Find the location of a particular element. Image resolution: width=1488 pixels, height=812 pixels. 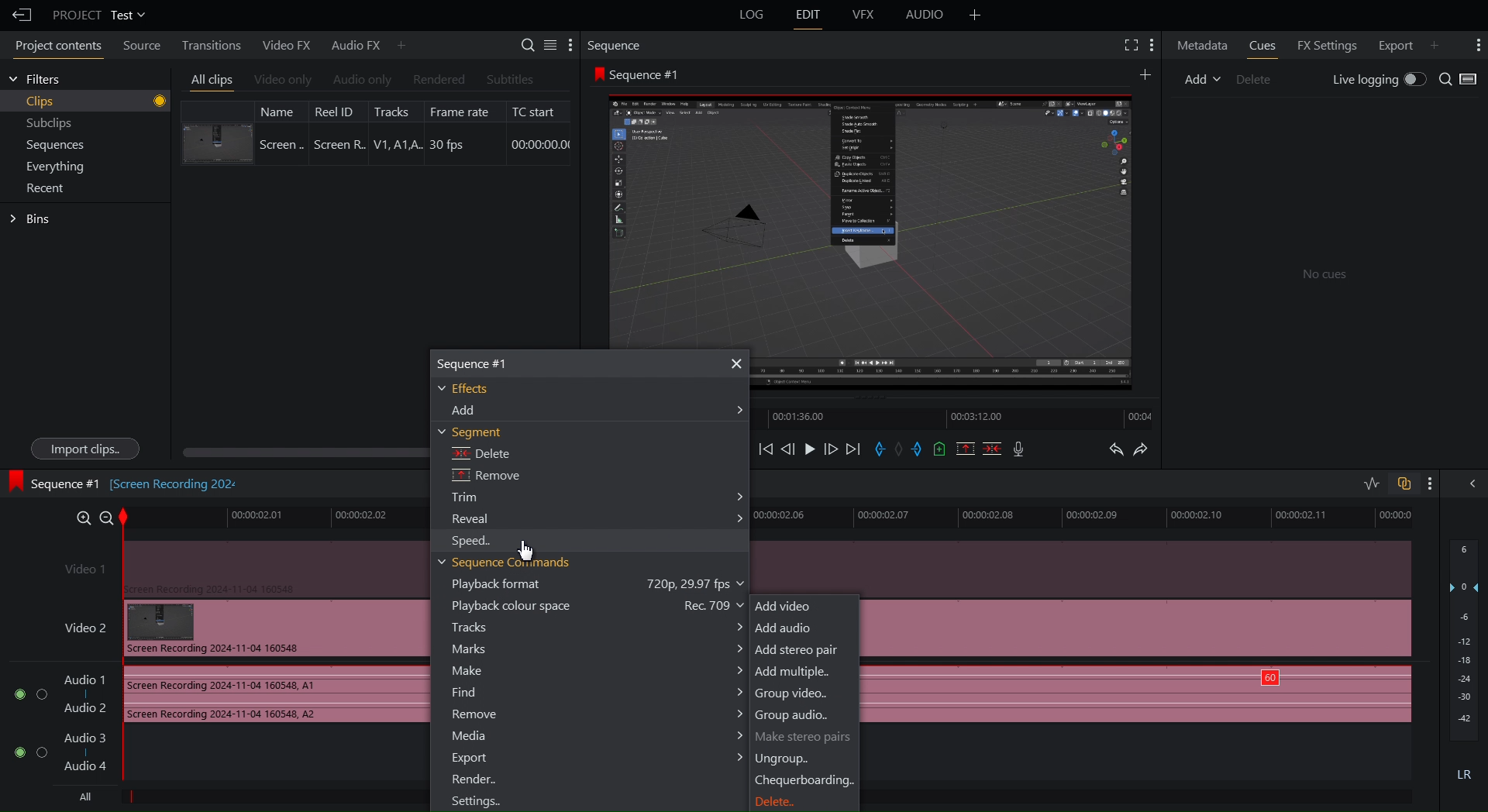

Add is located at coordinates (1144, 74).